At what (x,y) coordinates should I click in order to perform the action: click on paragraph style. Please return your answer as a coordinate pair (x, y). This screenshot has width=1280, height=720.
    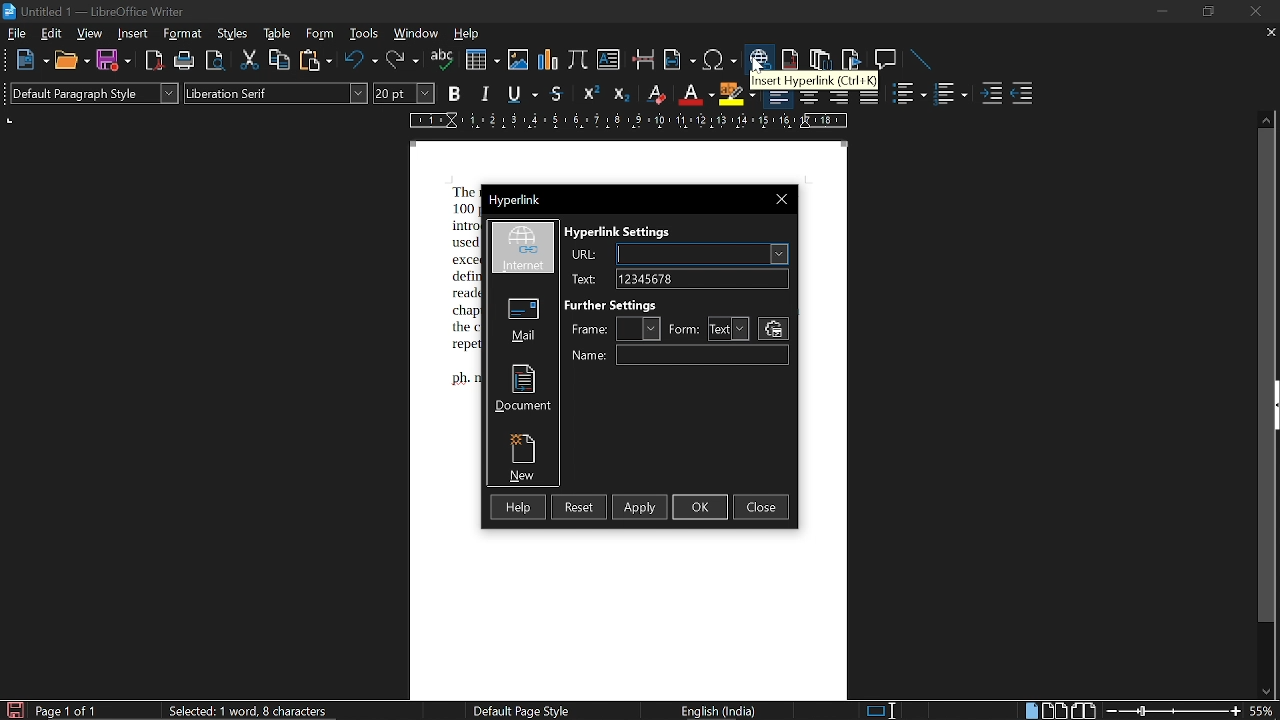
    Looking at the image, I should click on (94, 93).